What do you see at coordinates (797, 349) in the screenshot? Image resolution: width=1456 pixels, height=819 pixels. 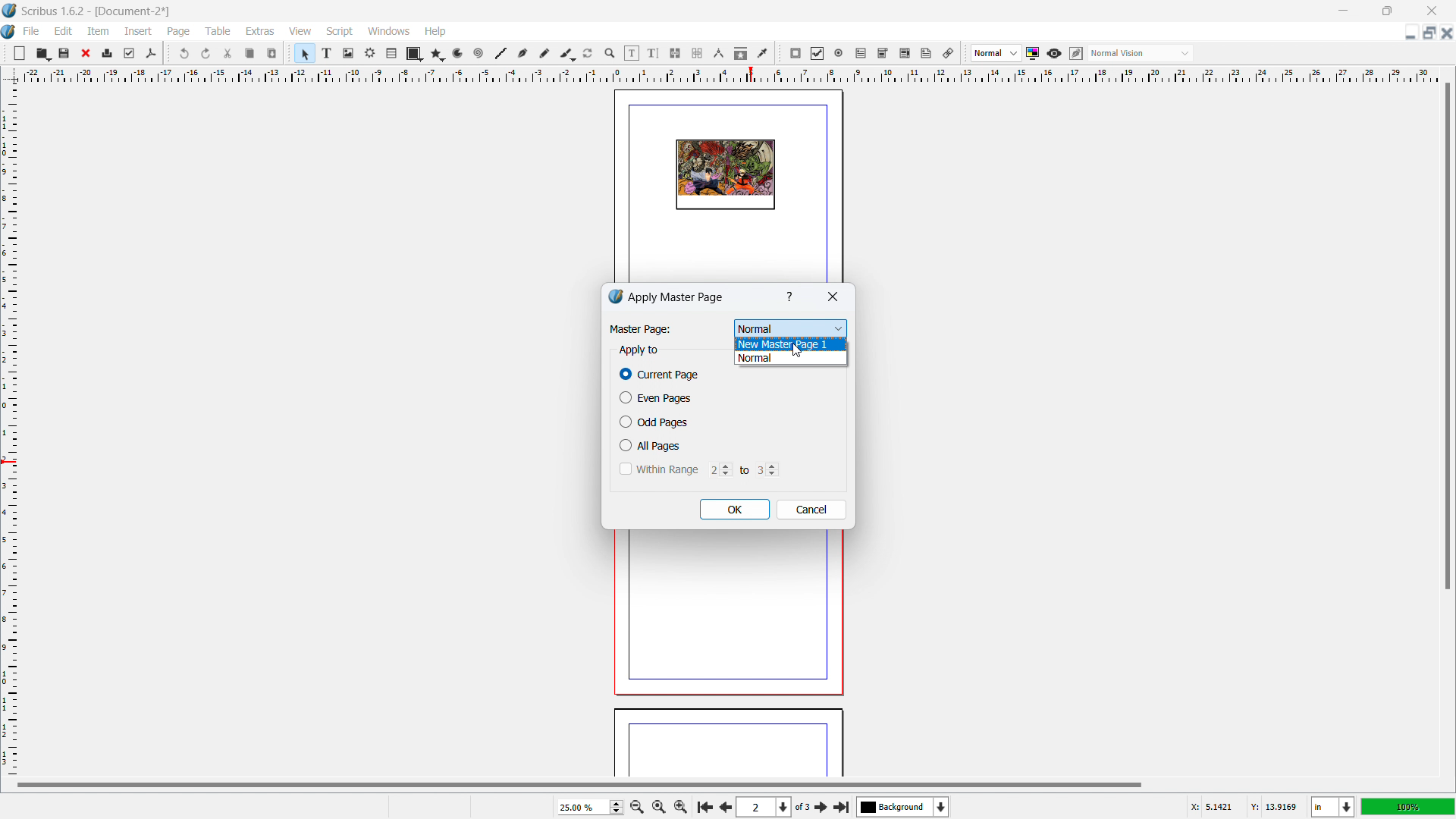 I see `cursor` at bounding box center [797, 349].